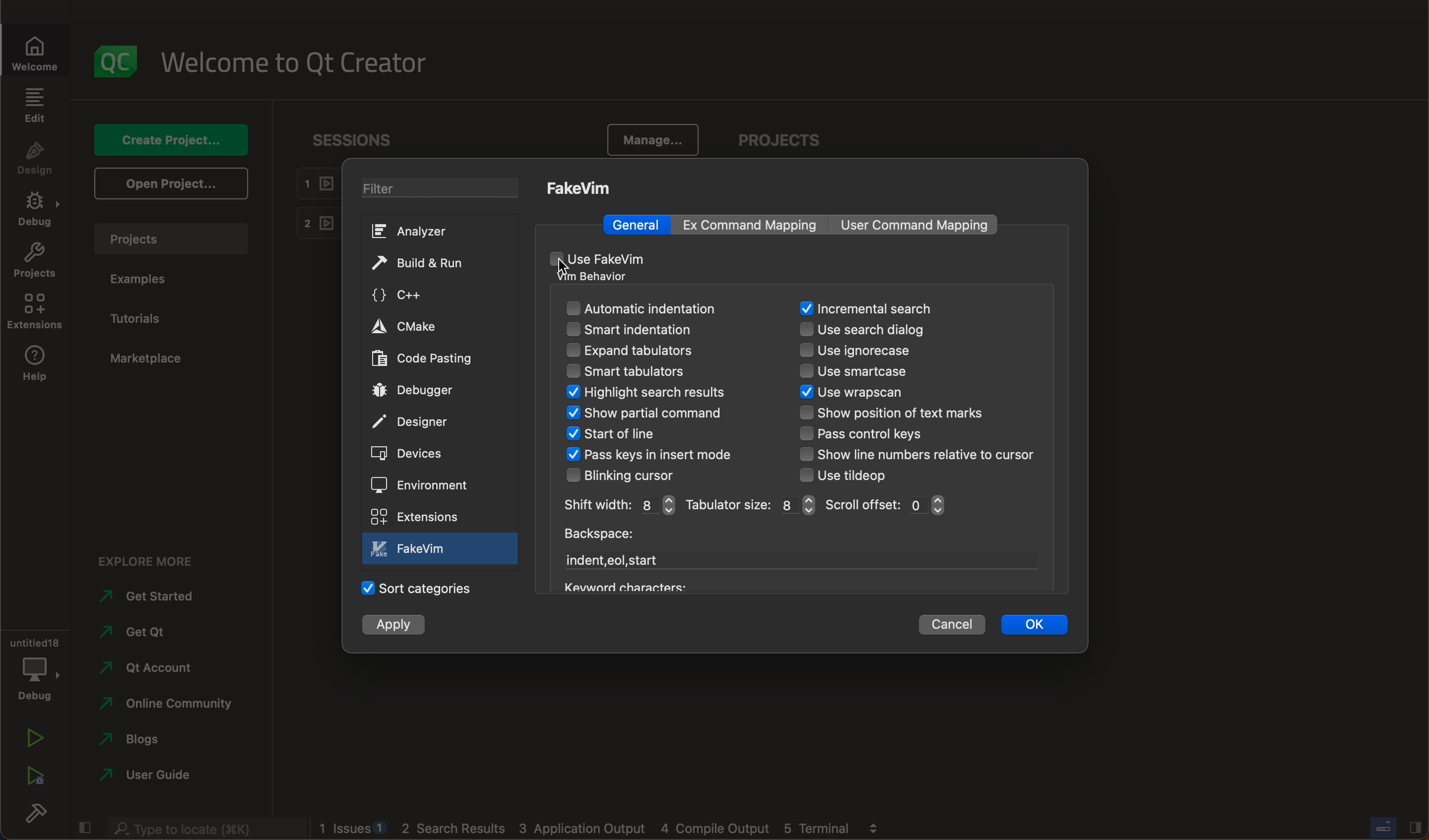 Image resolution: width=1429 pixels, height=840 pixels. Describe the element at coordinates (36, 310) in the screenshot. I see `extensions` at that location.